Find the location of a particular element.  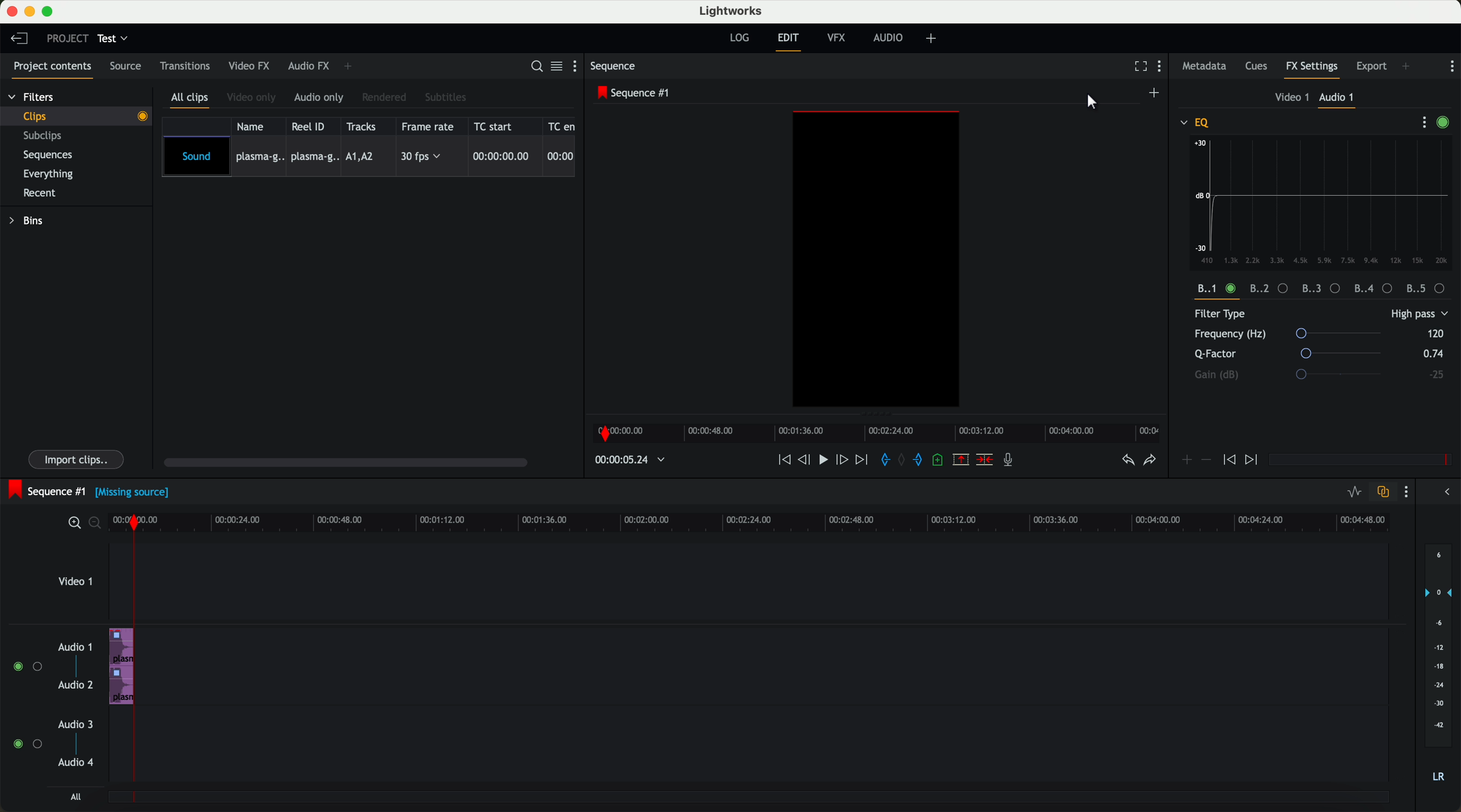

undo is located at coordinates (1126, 463).